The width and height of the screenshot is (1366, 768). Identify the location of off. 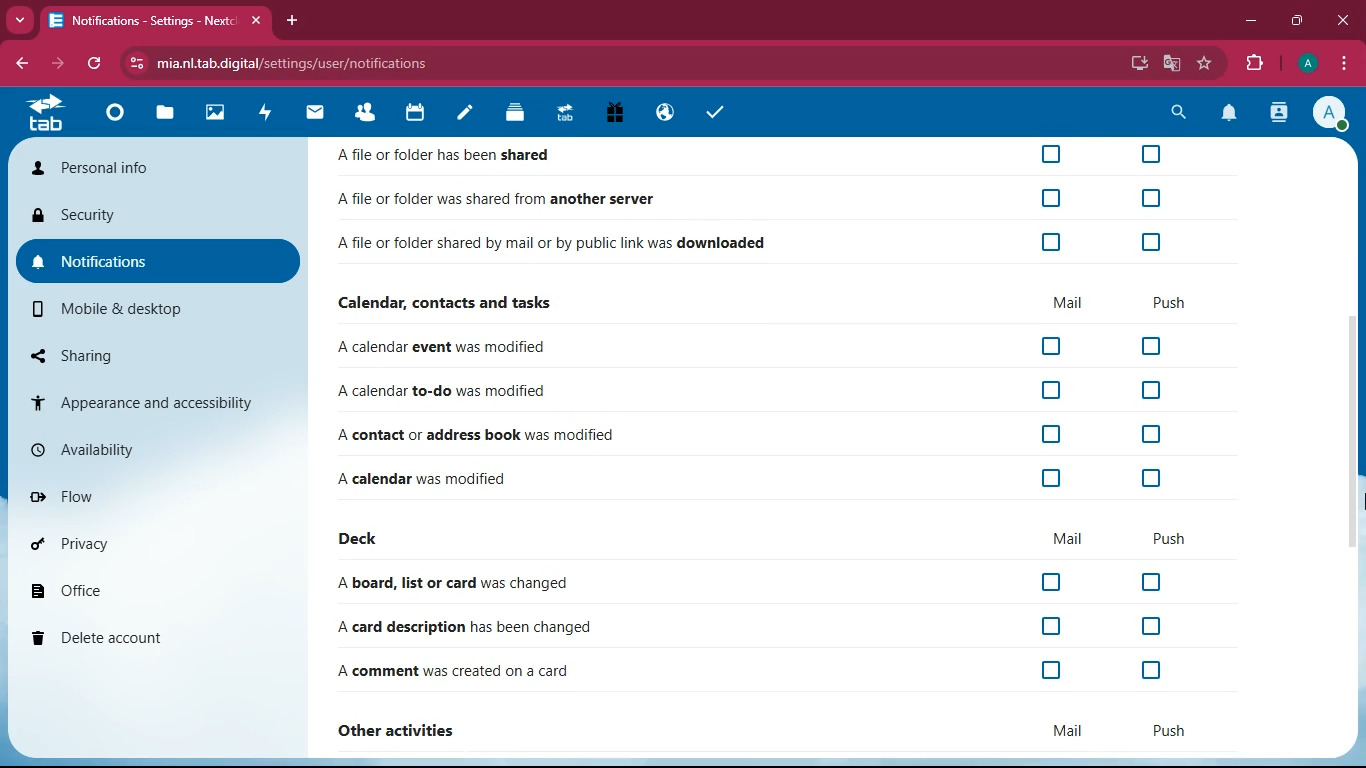
(1054, 346).